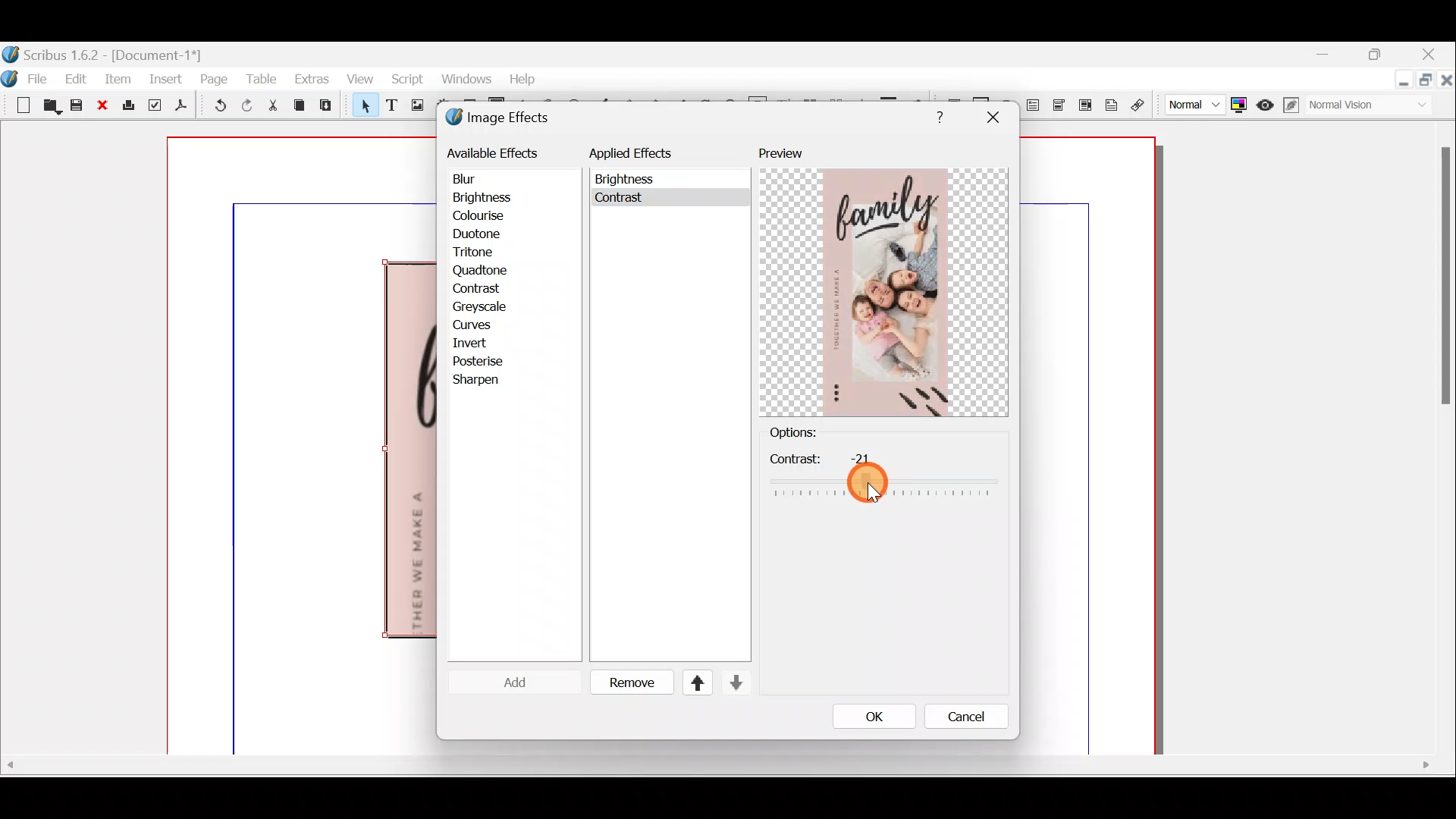 The width and height of the screenshot is (1456, 819). I want to click on Invert, so click(484, 342).